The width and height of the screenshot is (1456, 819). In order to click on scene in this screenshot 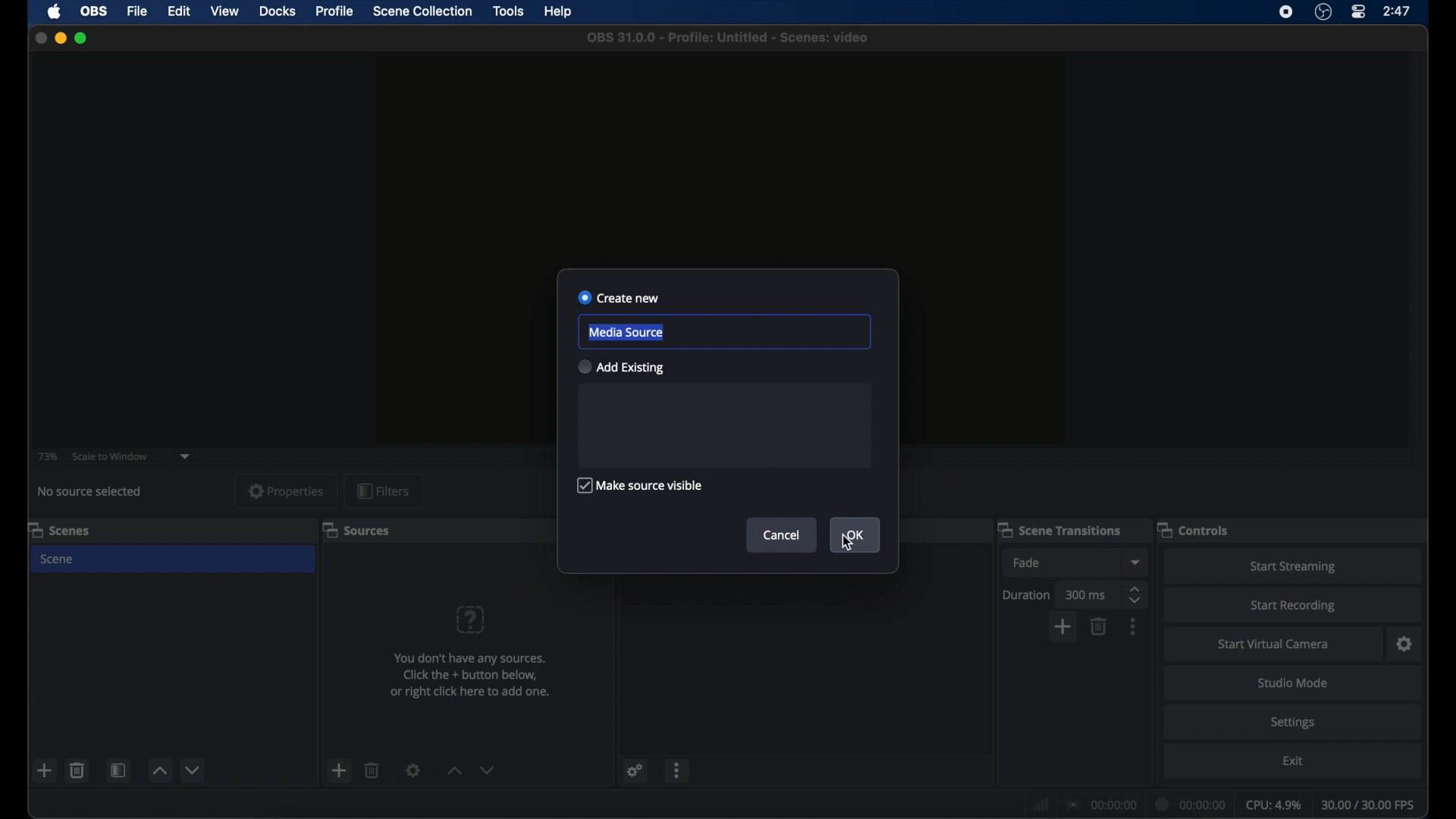, I will do `click(58, 559)`.